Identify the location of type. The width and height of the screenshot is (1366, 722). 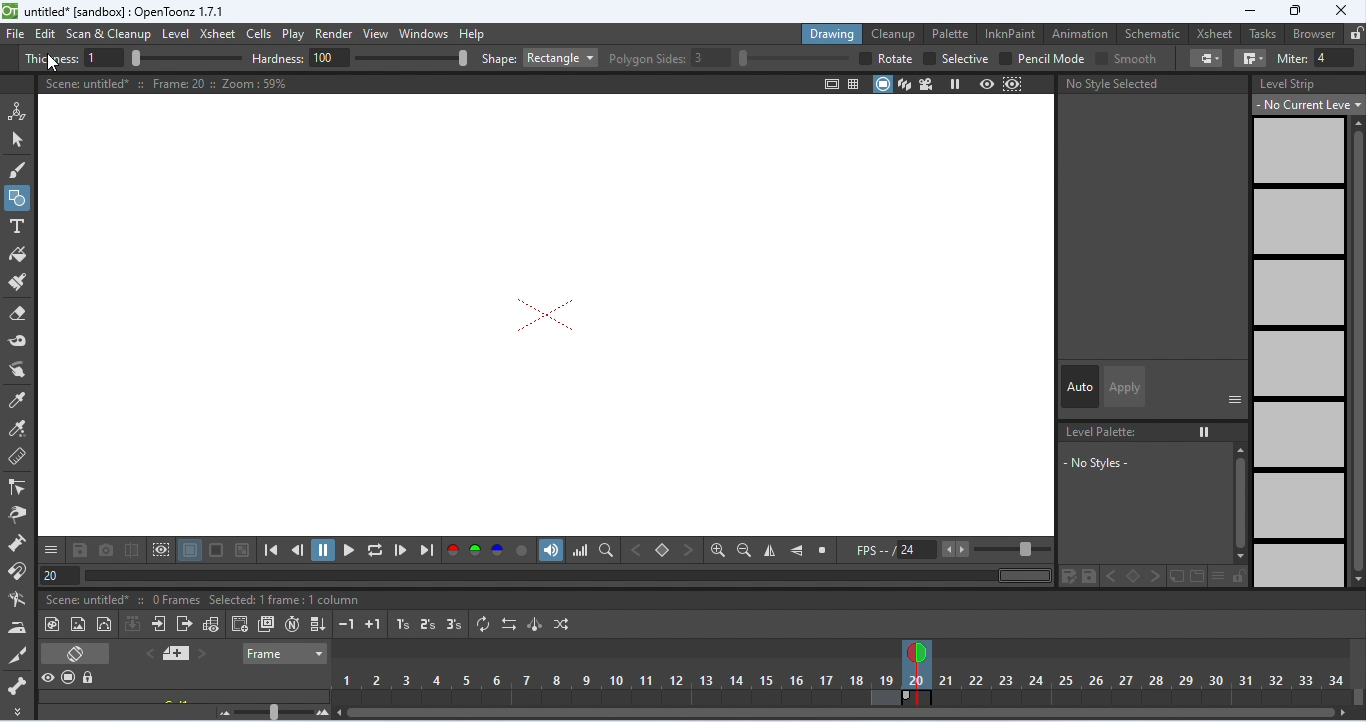
(17, 226).